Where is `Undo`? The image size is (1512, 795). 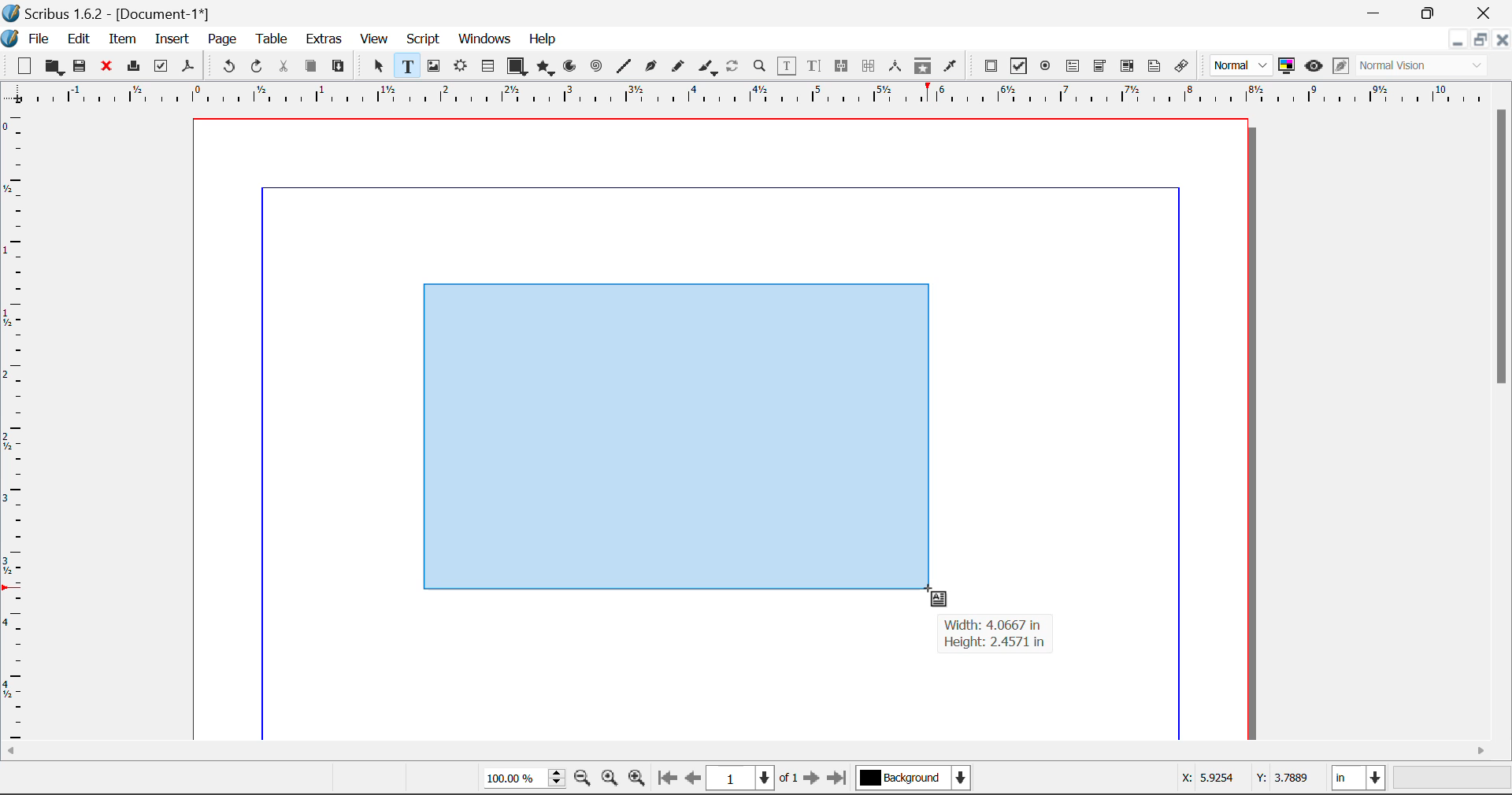
Undo is located at coordinates (226, 67).